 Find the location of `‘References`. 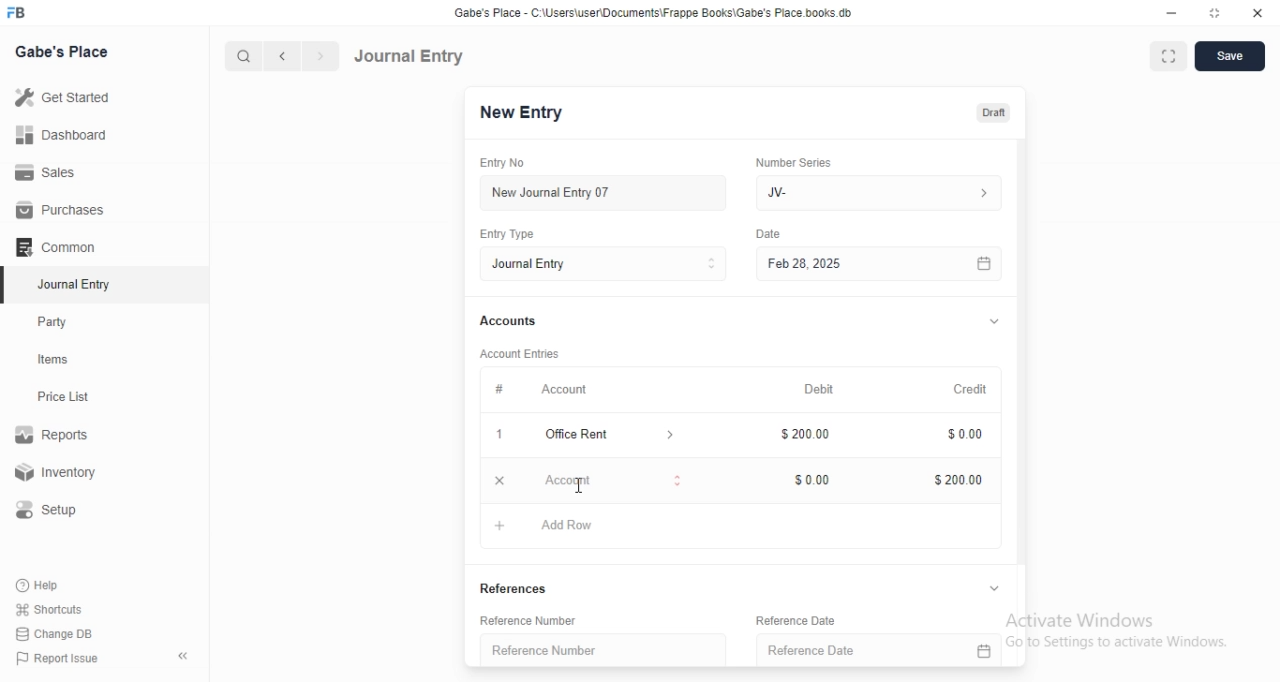

‘References is located at coordinates (529, 587).